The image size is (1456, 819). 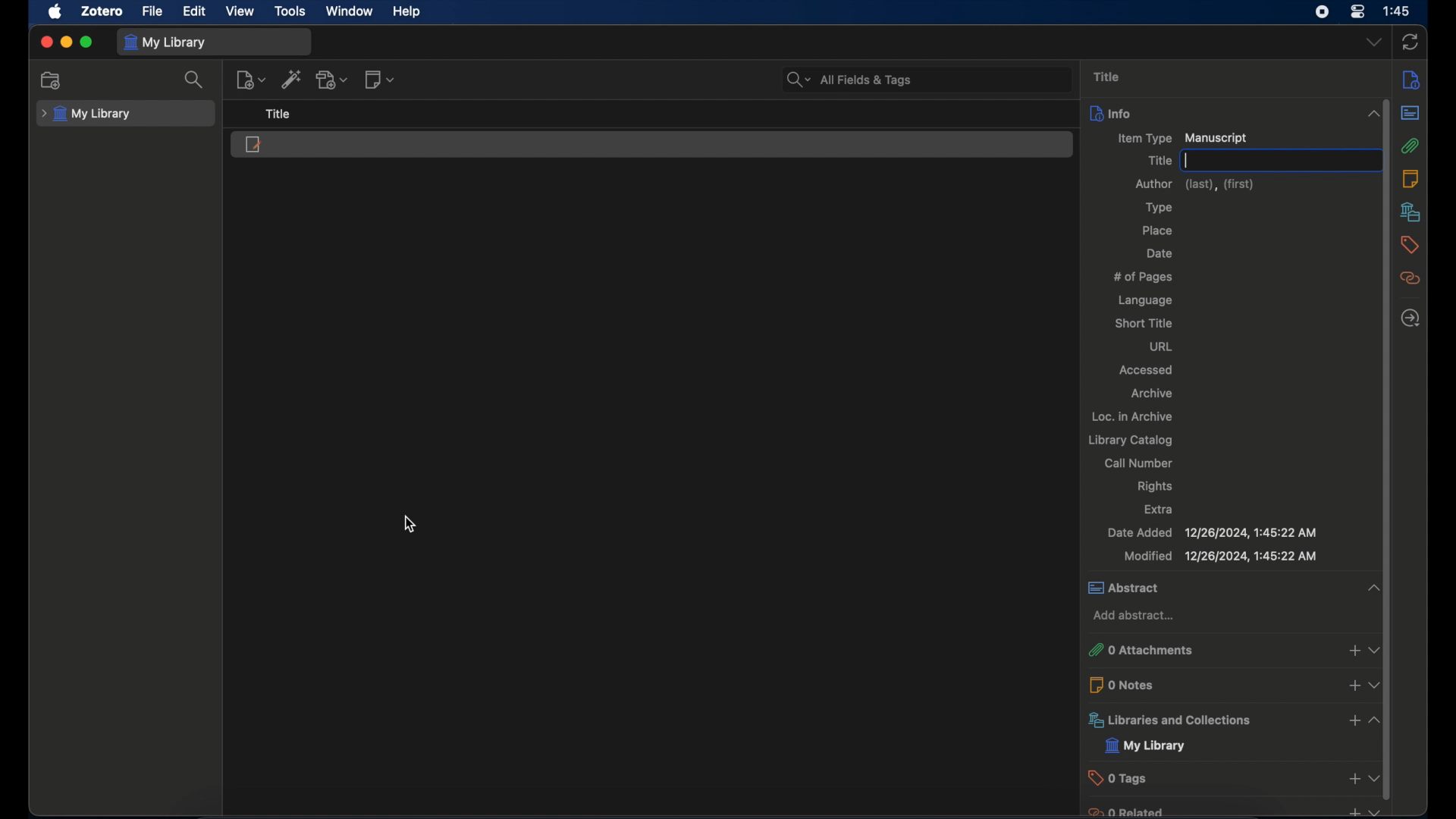 What do you see at coordinates (1130, 441) in the screenshot?
I see `library catalog` at bounding box center [1130, 441].